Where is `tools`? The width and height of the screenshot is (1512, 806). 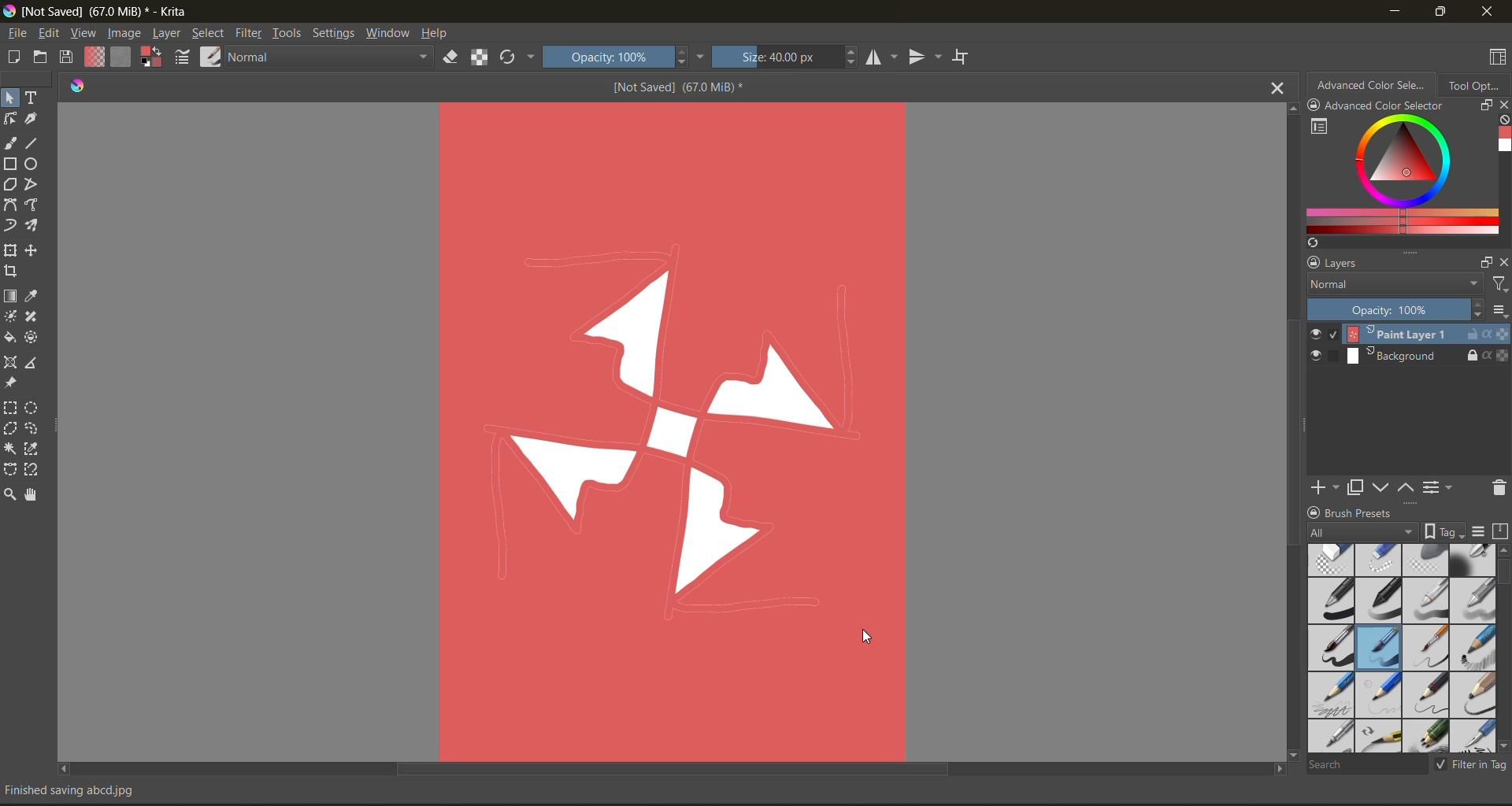 tools is located at coordinates (10, 164).